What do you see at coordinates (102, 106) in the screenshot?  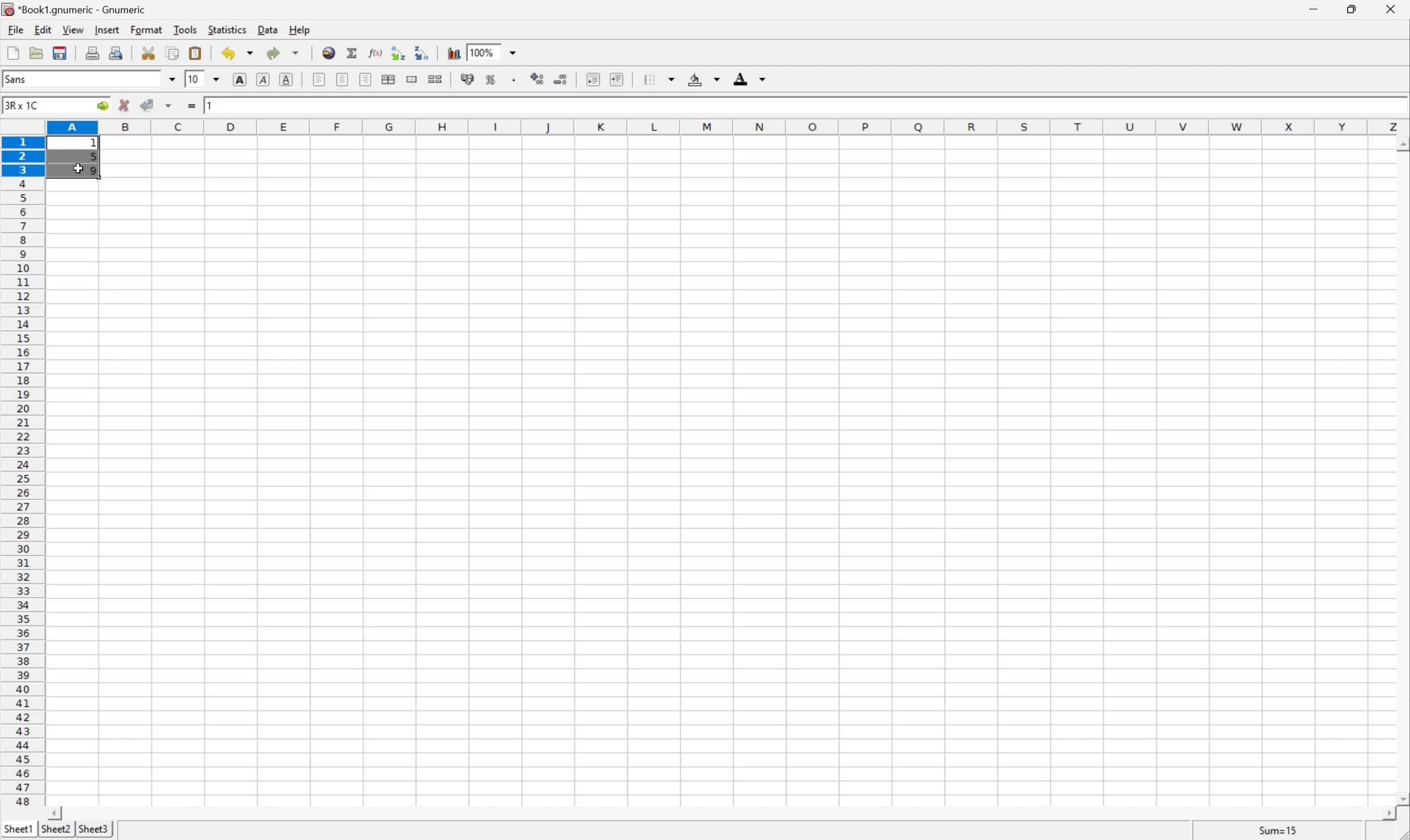 I see `go to` at bounding box center [102, 106].